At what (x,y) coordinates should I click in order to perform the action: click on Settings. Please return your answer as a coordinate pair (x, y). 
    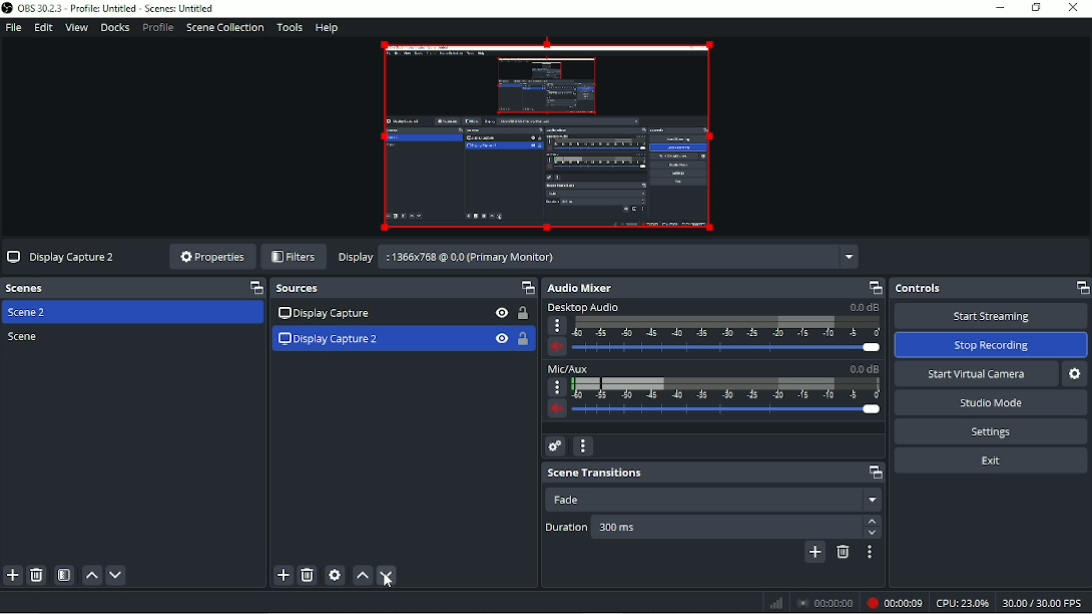
    Looking at the image, I should click on (990, 432).